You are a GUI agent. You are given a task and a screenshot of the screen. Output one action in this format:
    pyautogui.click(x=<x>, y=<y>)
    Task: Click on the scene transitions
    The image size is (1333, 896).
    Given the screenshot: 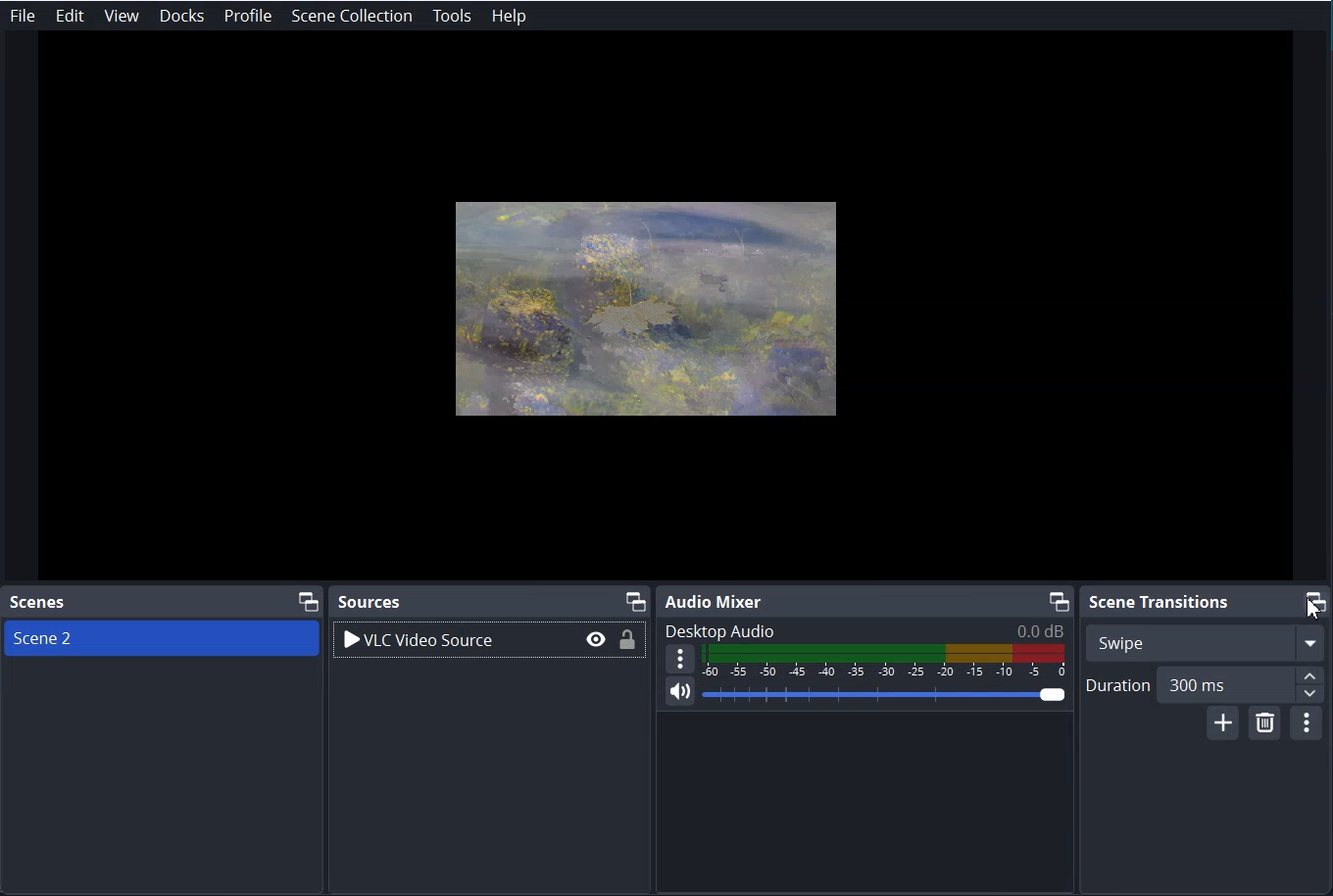 What is the action you would take?
    pyautogui.click(x=1161, y=604)
    